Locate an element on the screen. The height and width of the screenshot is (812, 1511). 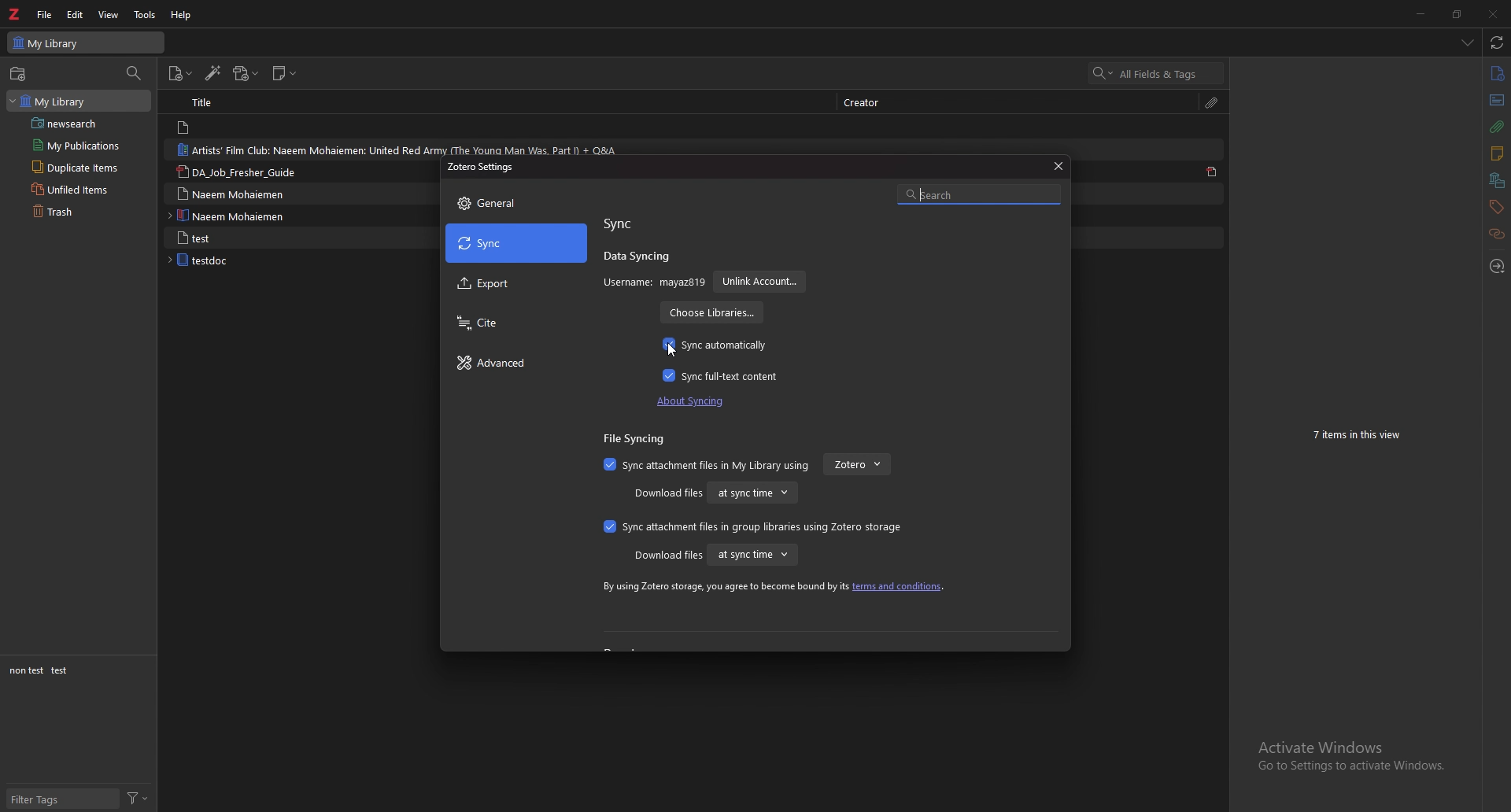
testdoc is located at coordinates (233, 260).